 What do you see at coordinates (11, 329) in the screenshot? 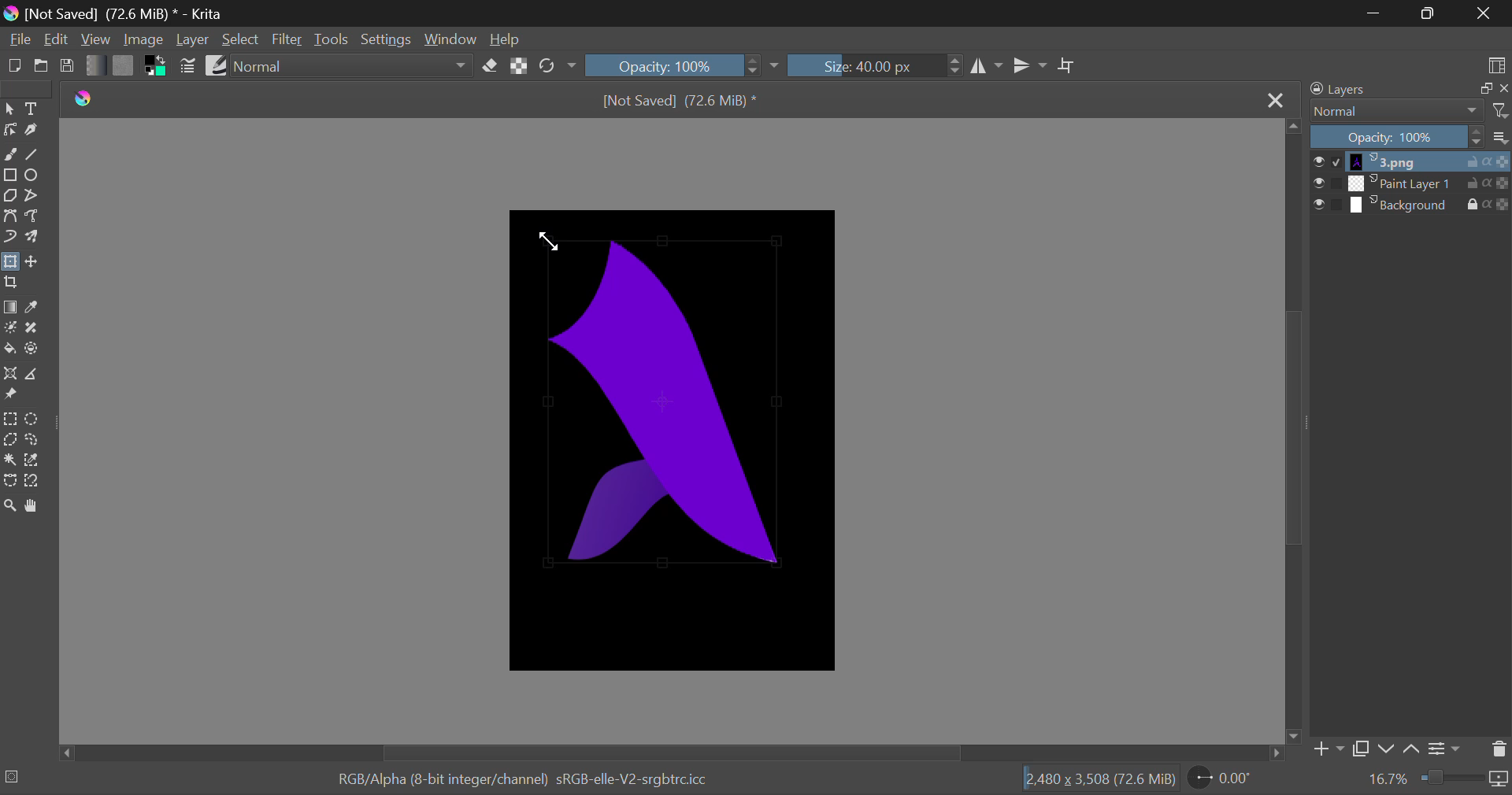
I see `Colorize Mask Tool` at bounding box center [11, 329].